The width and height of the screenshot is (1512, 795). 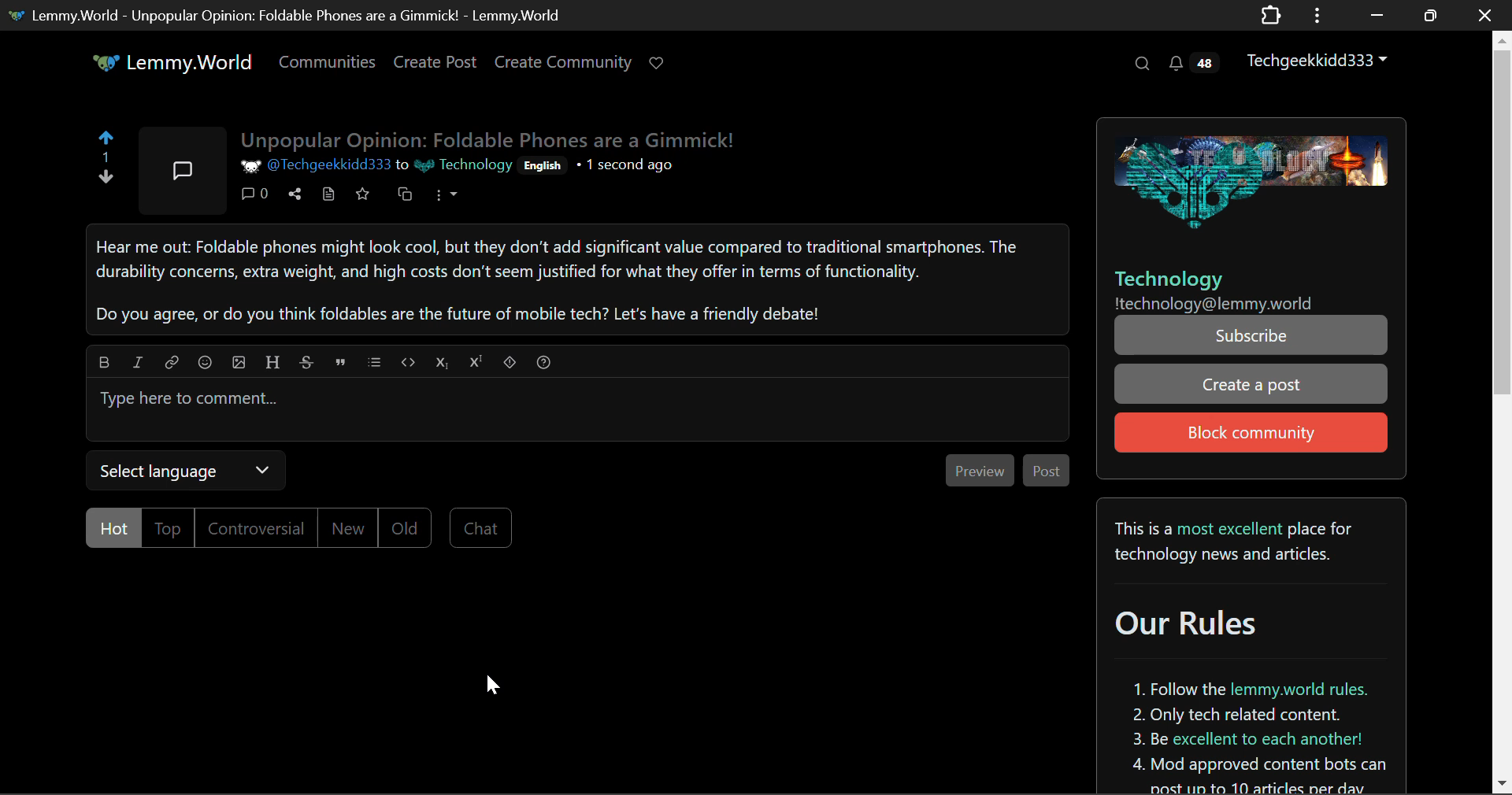 What do you see at coordinates (978, 470) in the screenshot?
I see `Comment Preview` at bounding box center [978, 470].